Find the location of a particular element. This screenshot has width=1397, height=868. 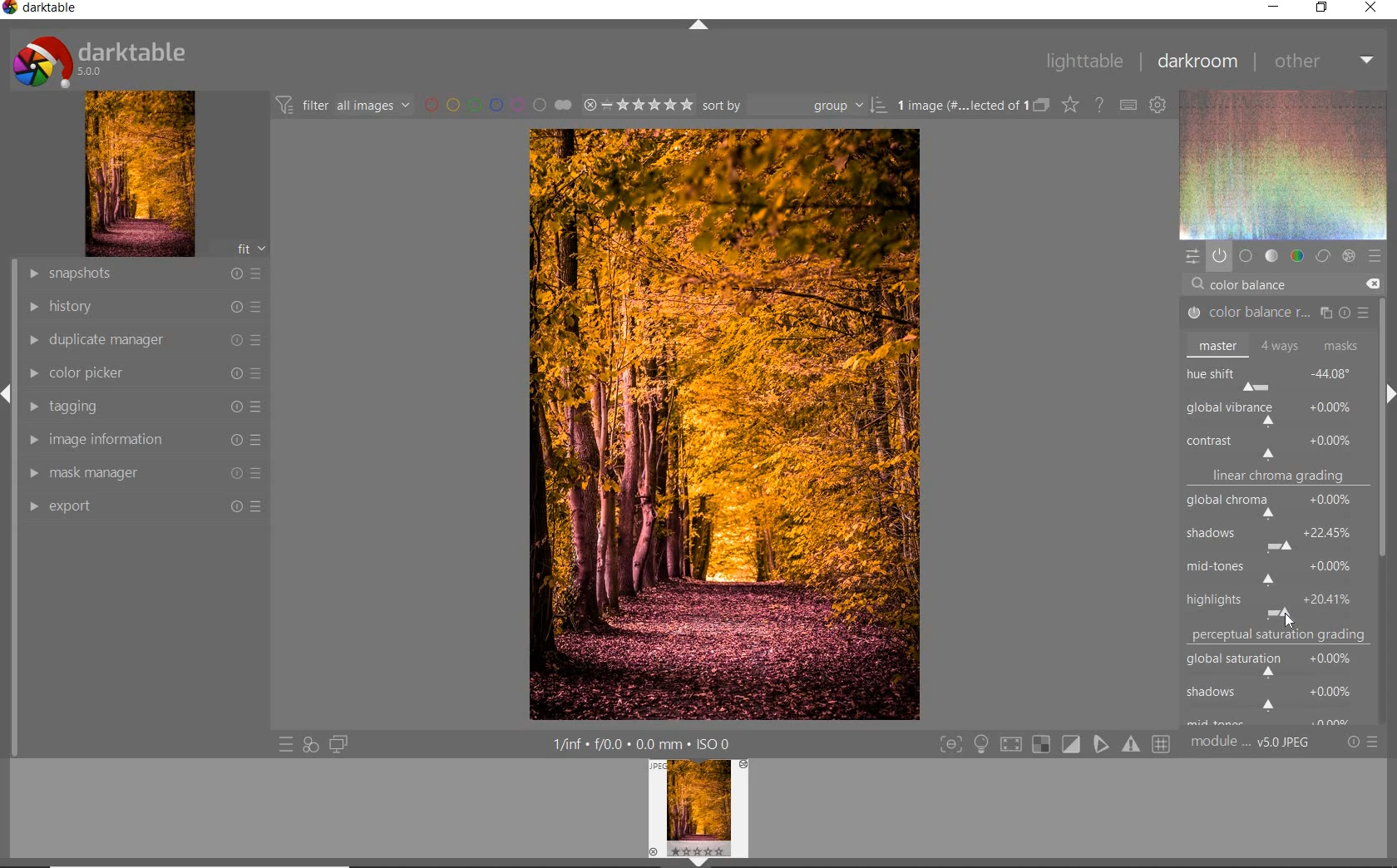

DELETE is located at coordinates (1372, 284).